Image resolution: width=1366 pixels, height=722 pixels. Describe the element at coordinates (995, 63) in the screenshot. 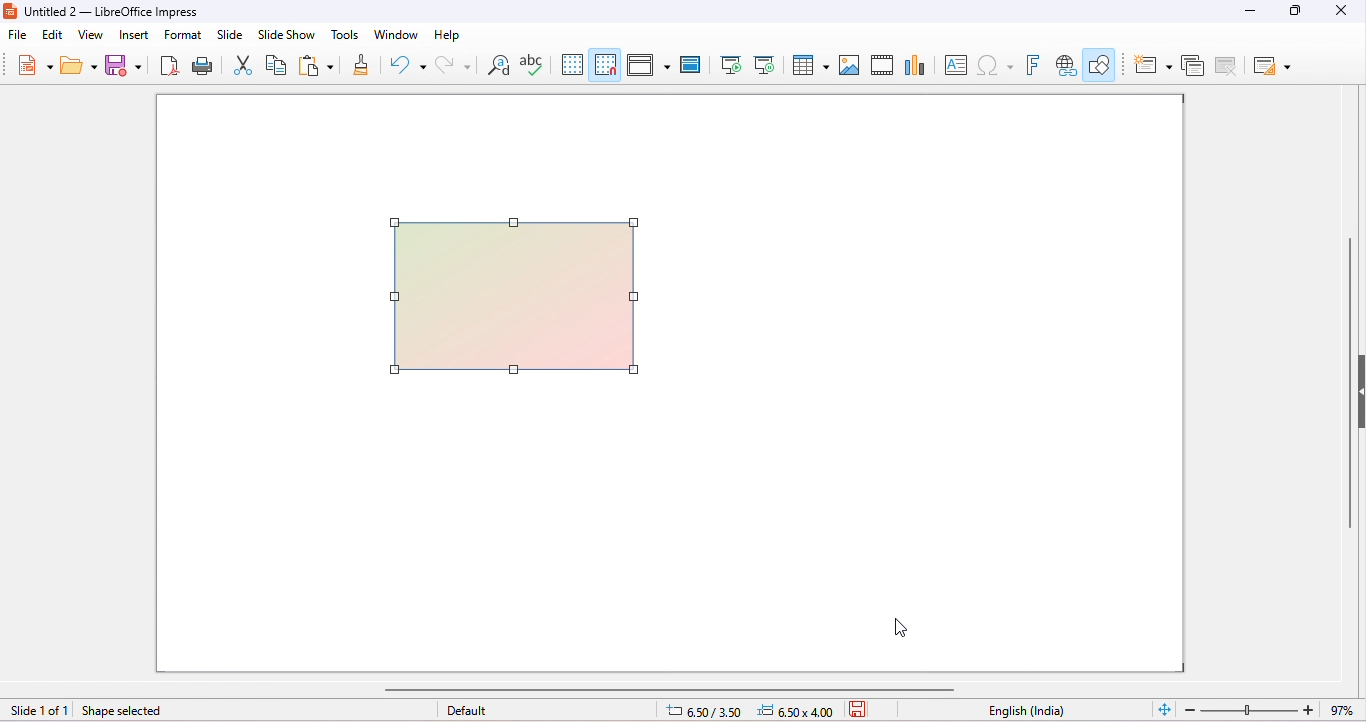

I see `insert special characters` at that location.